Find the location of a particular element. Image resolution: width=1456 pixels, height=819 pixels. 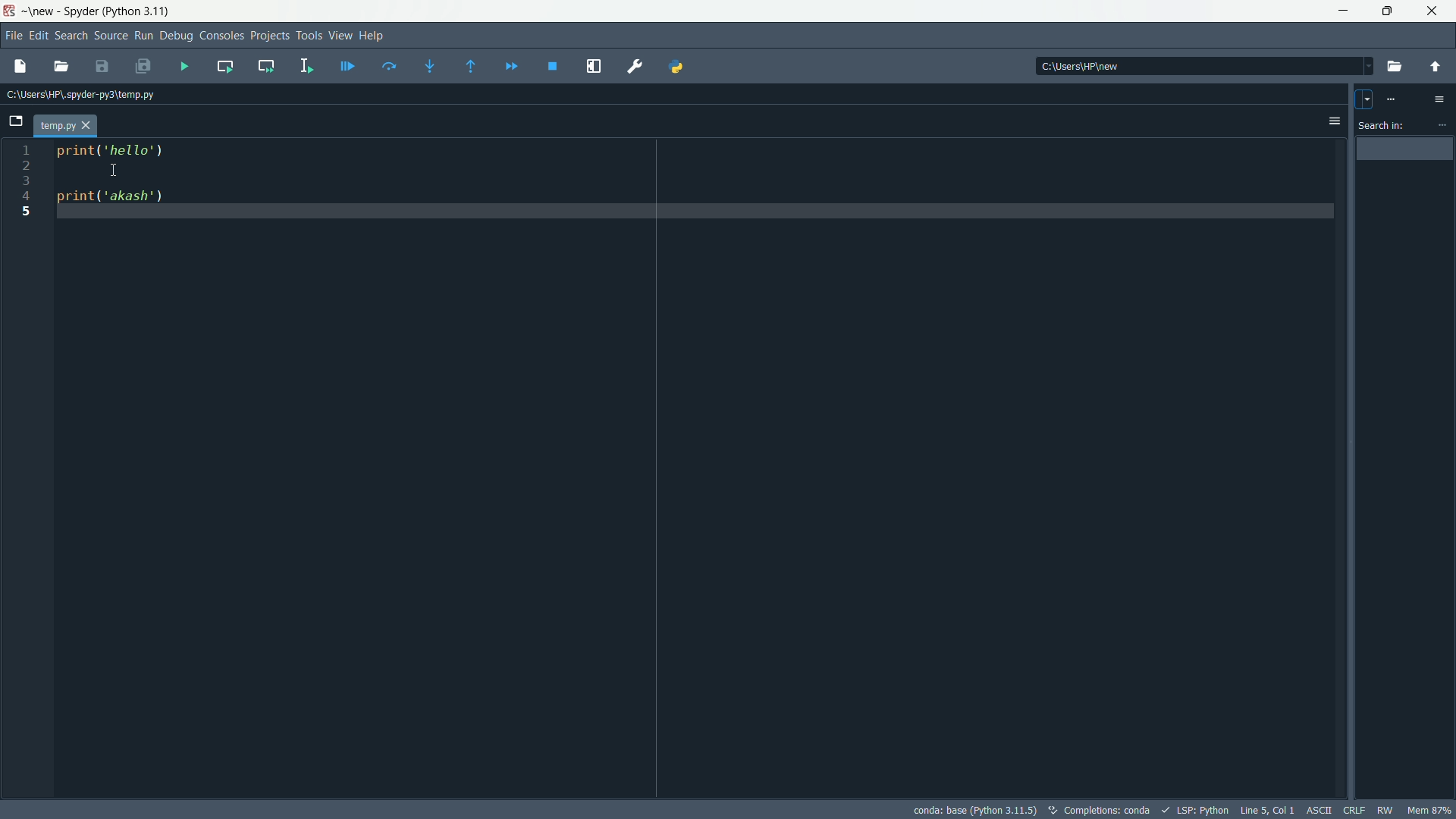

directory is located at coordinates (1205, 66).